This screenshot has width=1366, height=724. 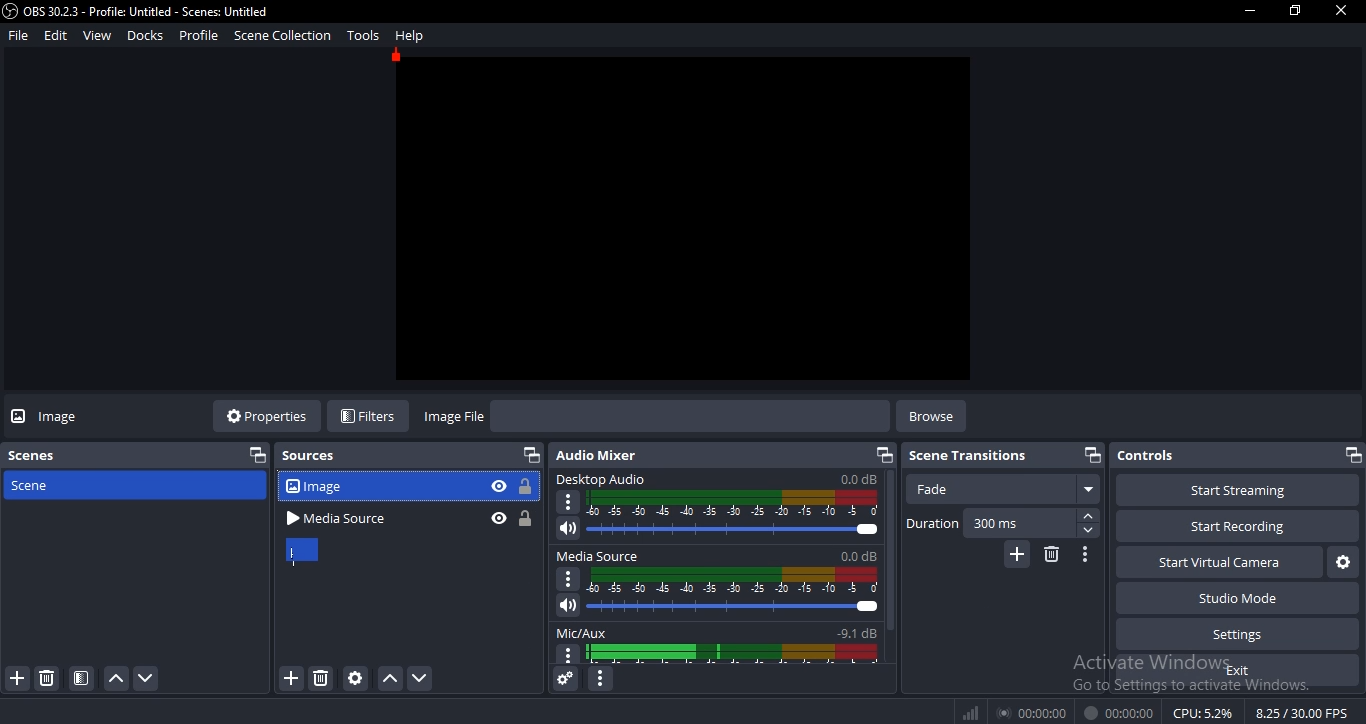 I want to click on move up, so click(x=390, y=679).